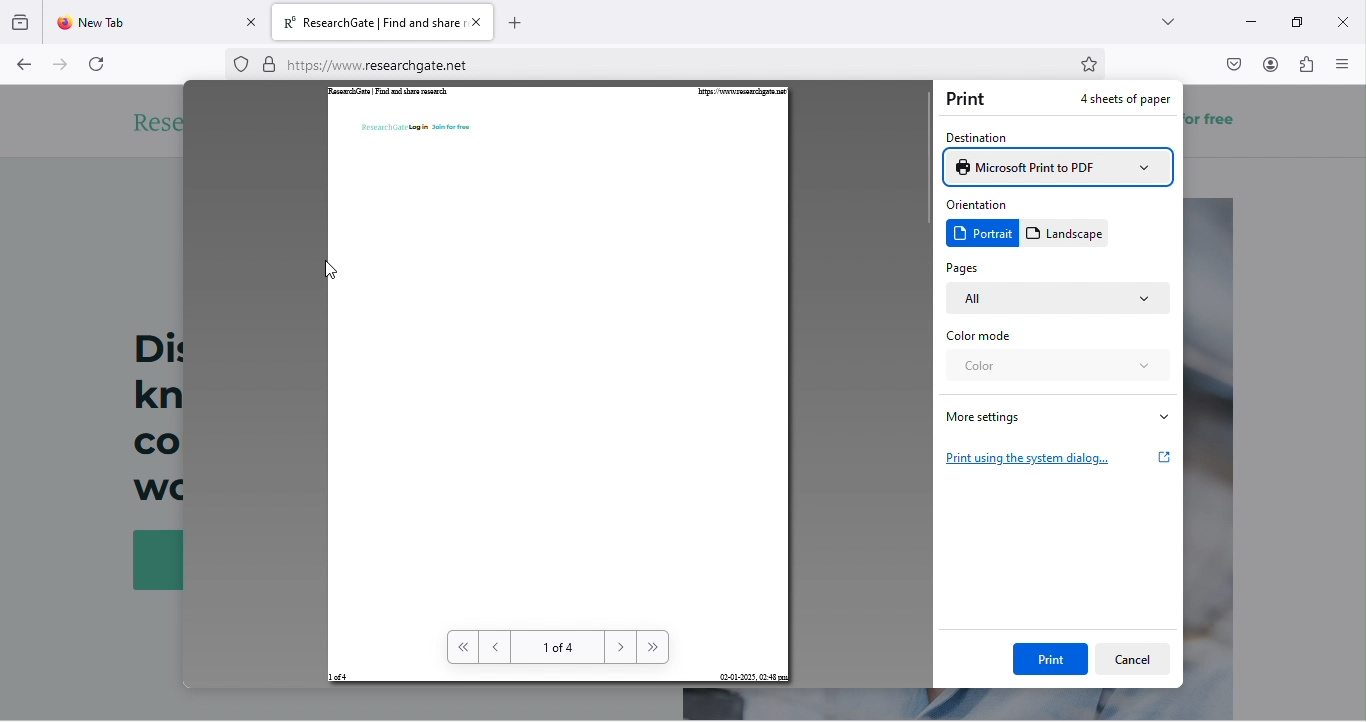 The height and width of the screenshot is (722, 1366). Describe the element at coordinates (742, 94) in the screenshot. I see `https://www.researchgate.net` at that location.